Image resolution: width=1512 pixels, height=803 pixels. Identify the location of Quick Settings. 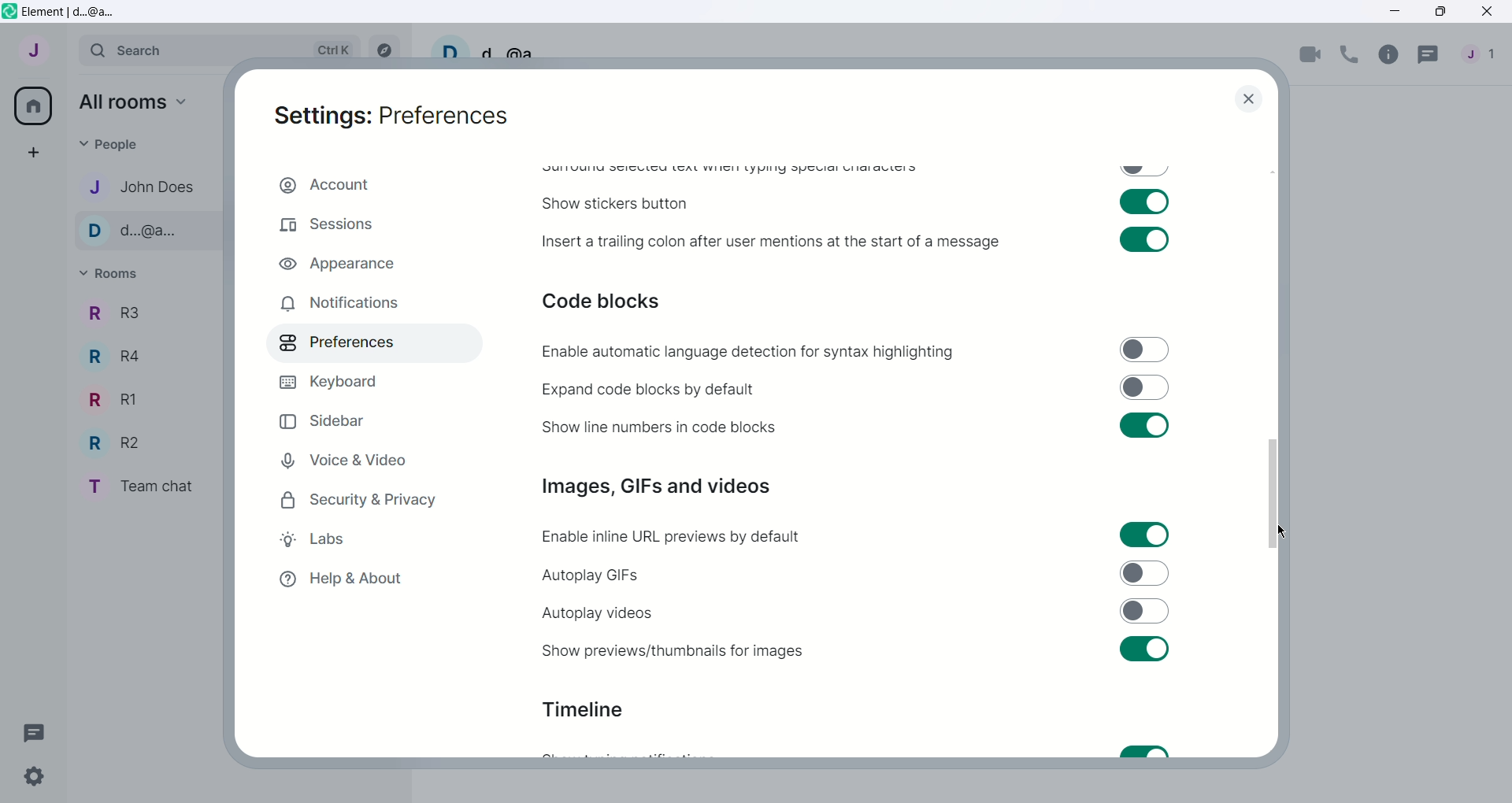
(34, 777).